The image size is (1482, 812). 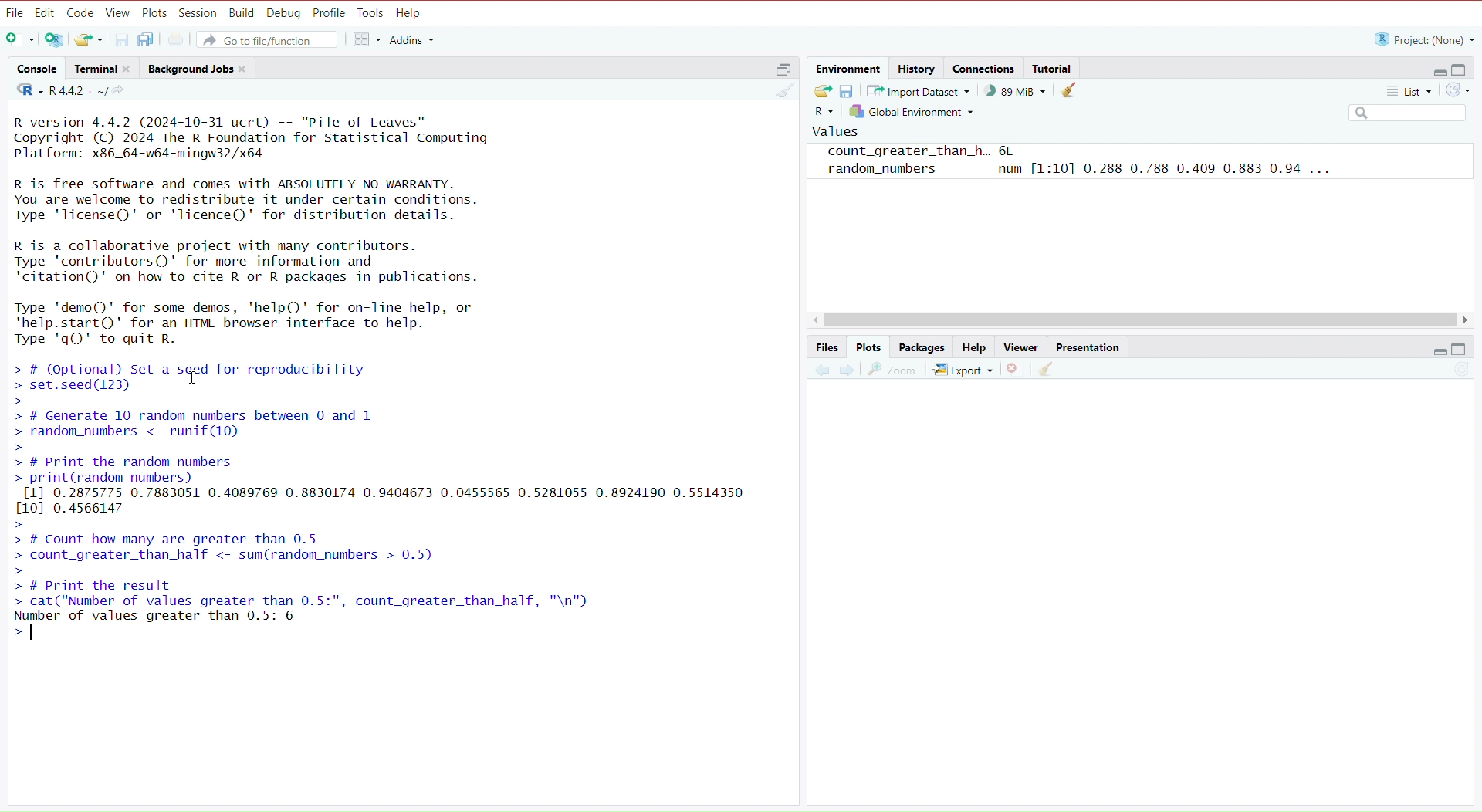 I want to click on Session, so click(x=198, y=13).